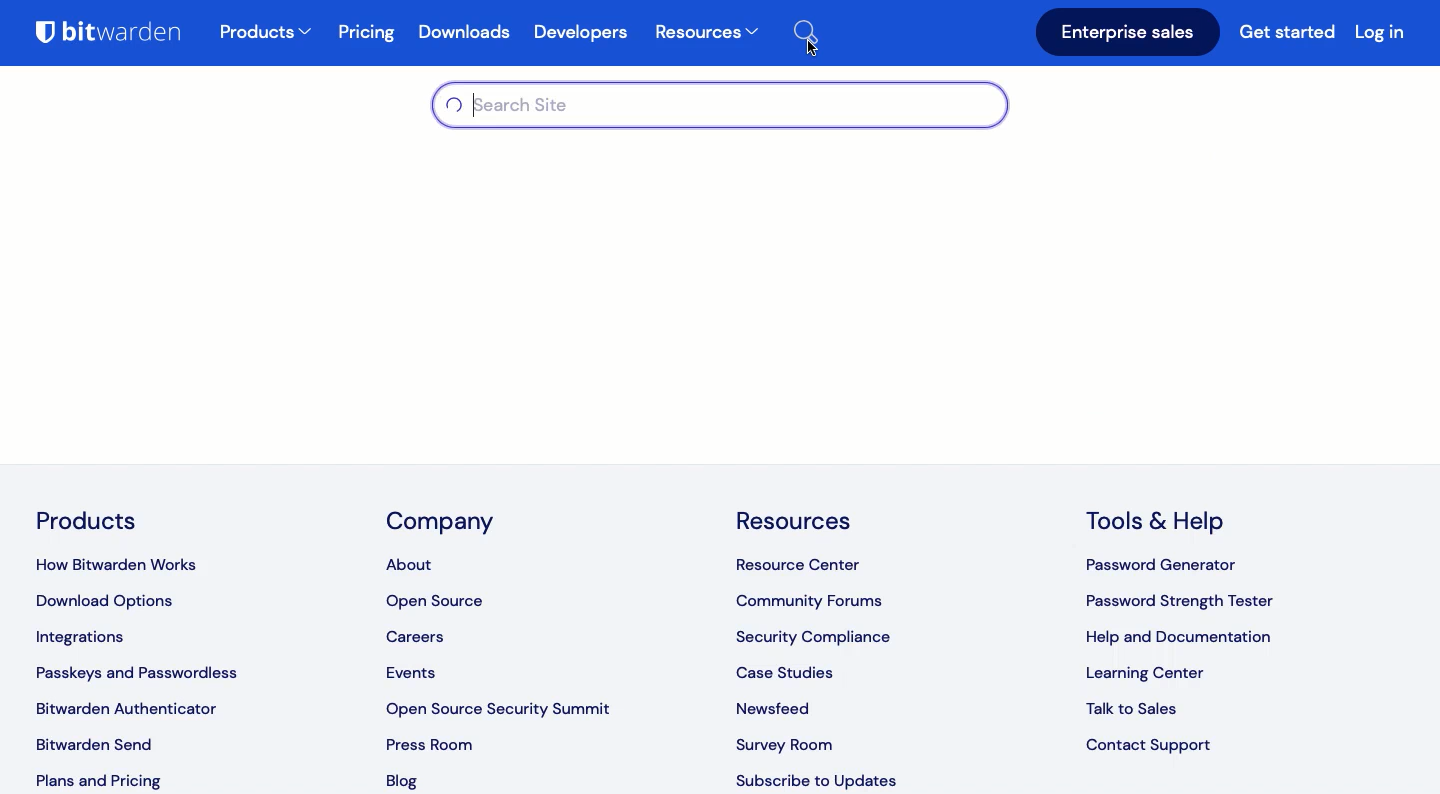 This screenshot has height=794, width=1440. Describe the element at coordinates (117, 36) in the screenshot. I see `Bitwarden` at that location.